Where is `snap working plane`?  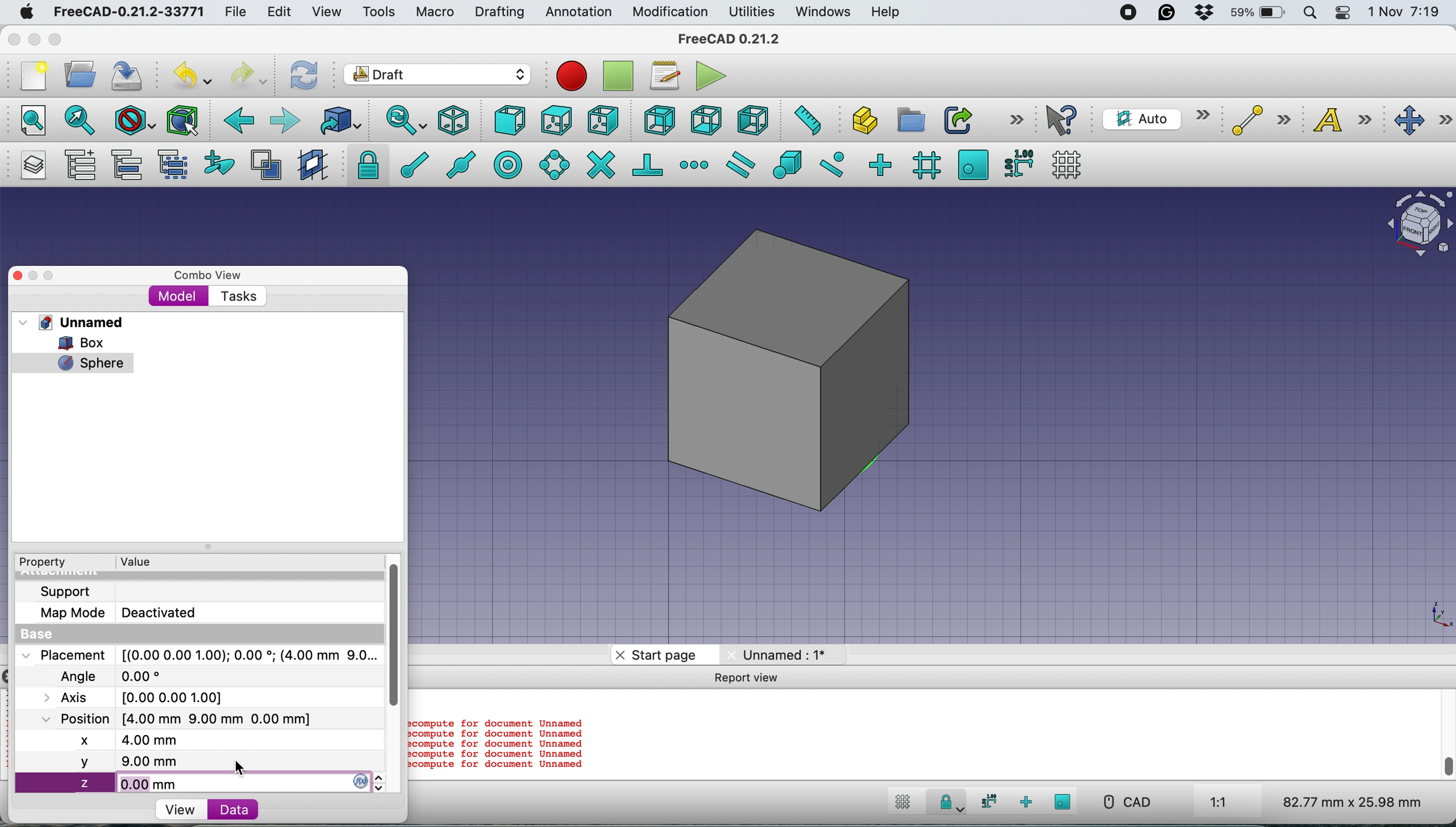 snap working plane is located at coordinates (973, 164).